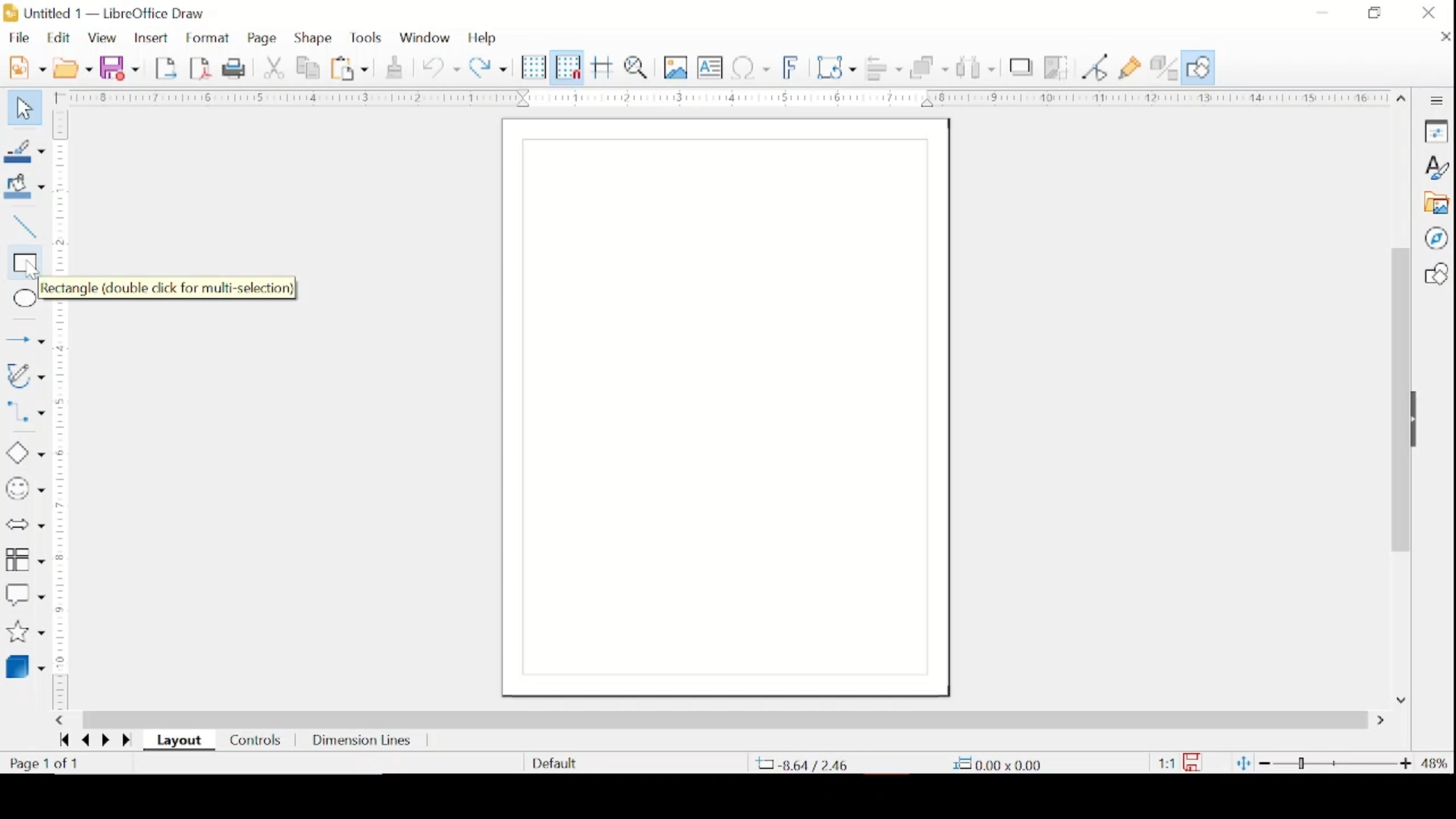 Image resolution: width=1456 pixels, height=819 pixels. What do you see at coordinates (1399, 403) in the screenshot?
I see `scroll box` at bounding box center [1399, 403].